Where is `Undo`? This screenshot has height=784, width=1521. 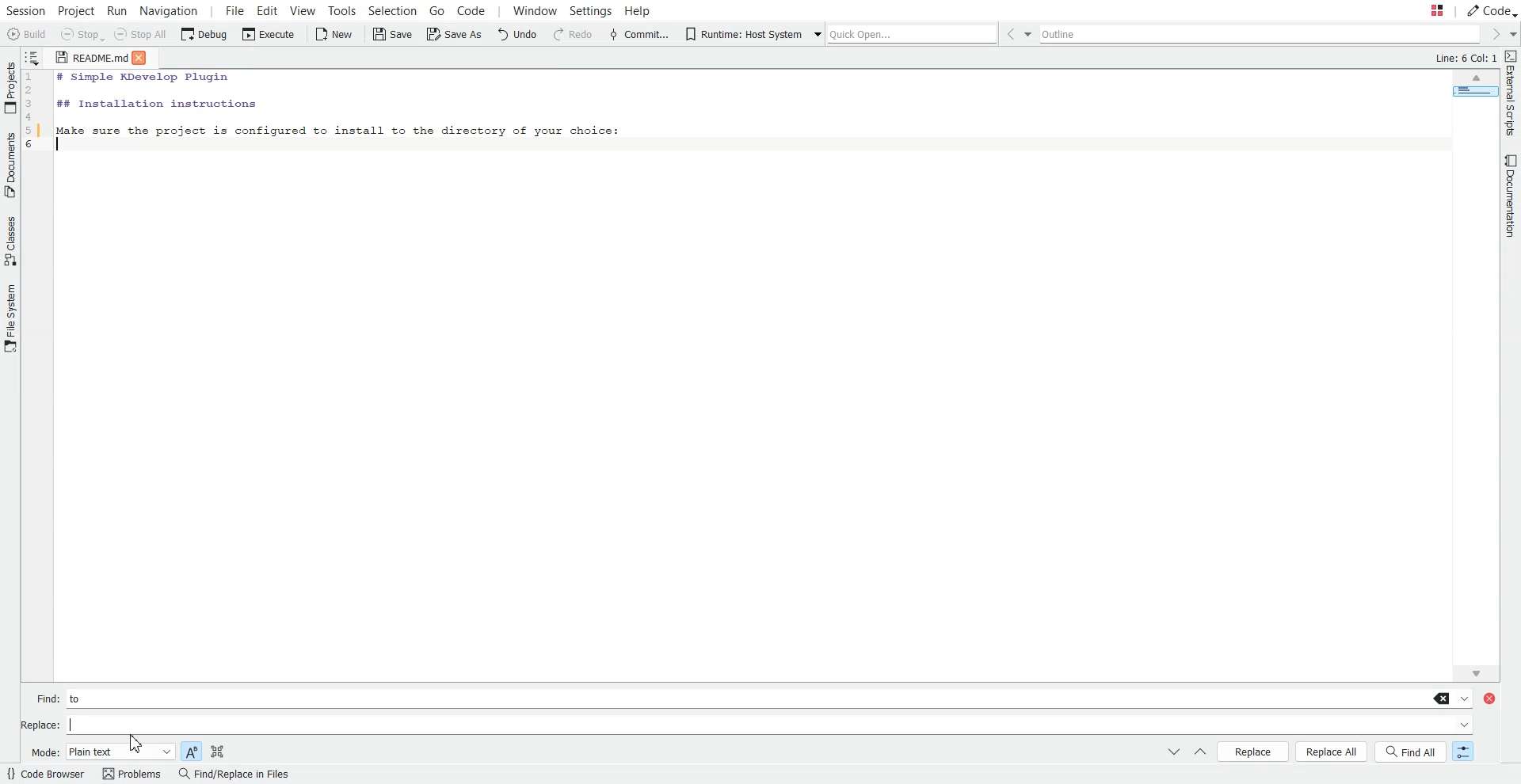 Undo is located at coordinates (520, 35).